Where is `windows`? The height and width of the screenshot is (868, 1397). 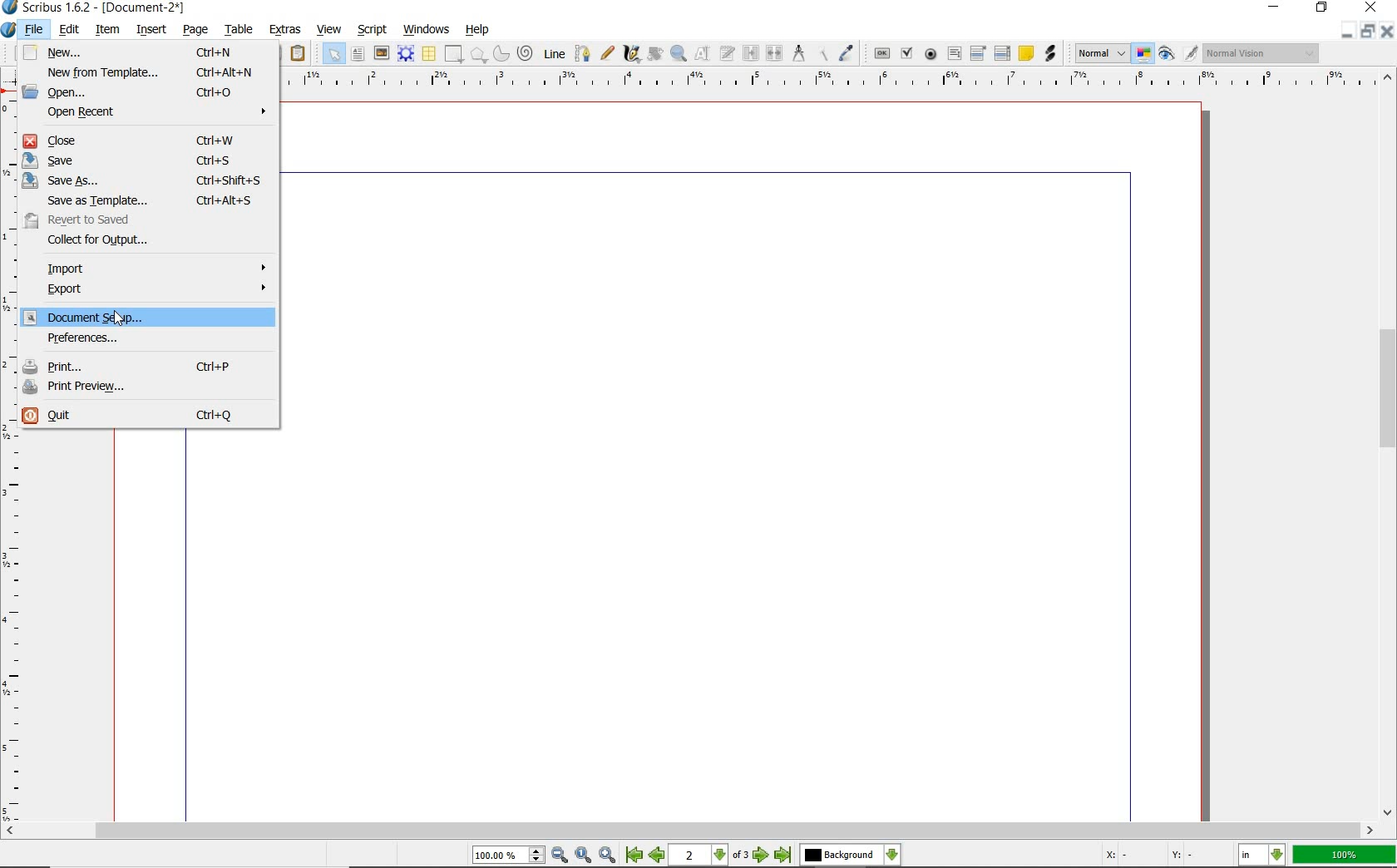
windows is located at coordinates (427, 28).